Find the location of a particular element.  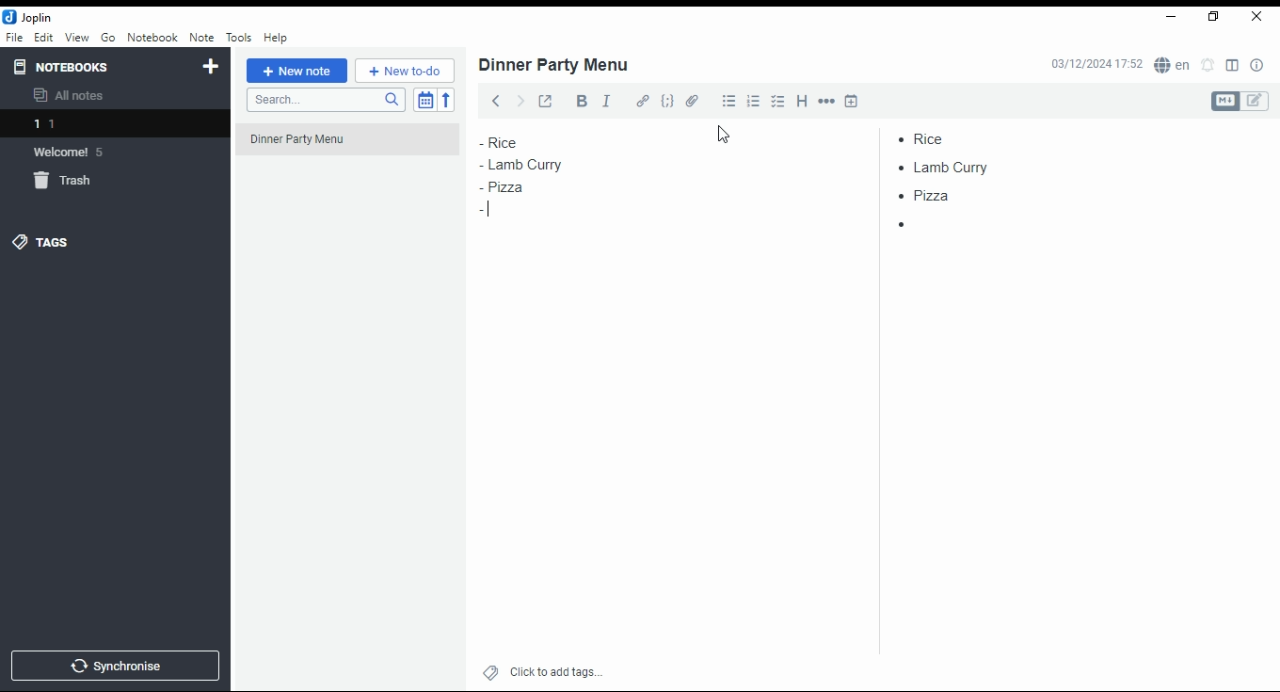

forward is located at coordinates (519, 98).